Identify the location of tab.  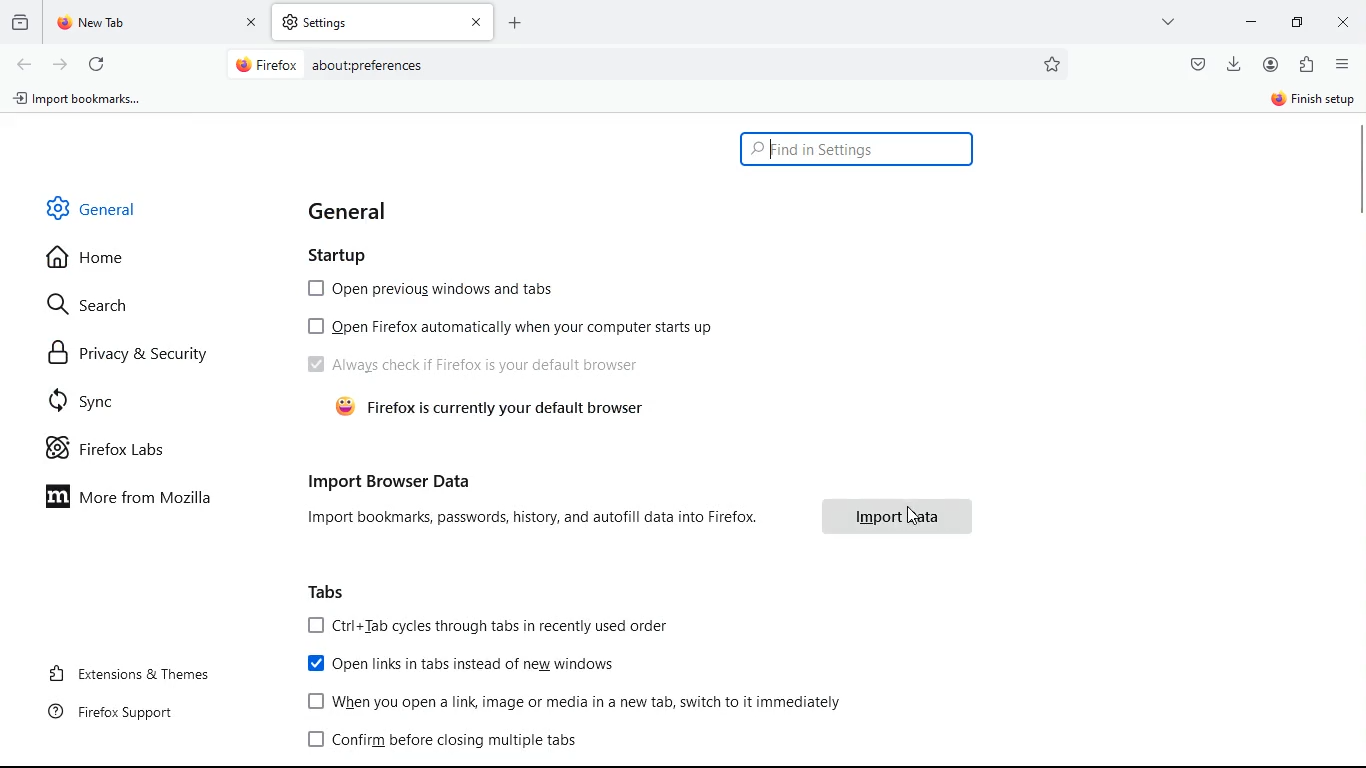
(160, 22).